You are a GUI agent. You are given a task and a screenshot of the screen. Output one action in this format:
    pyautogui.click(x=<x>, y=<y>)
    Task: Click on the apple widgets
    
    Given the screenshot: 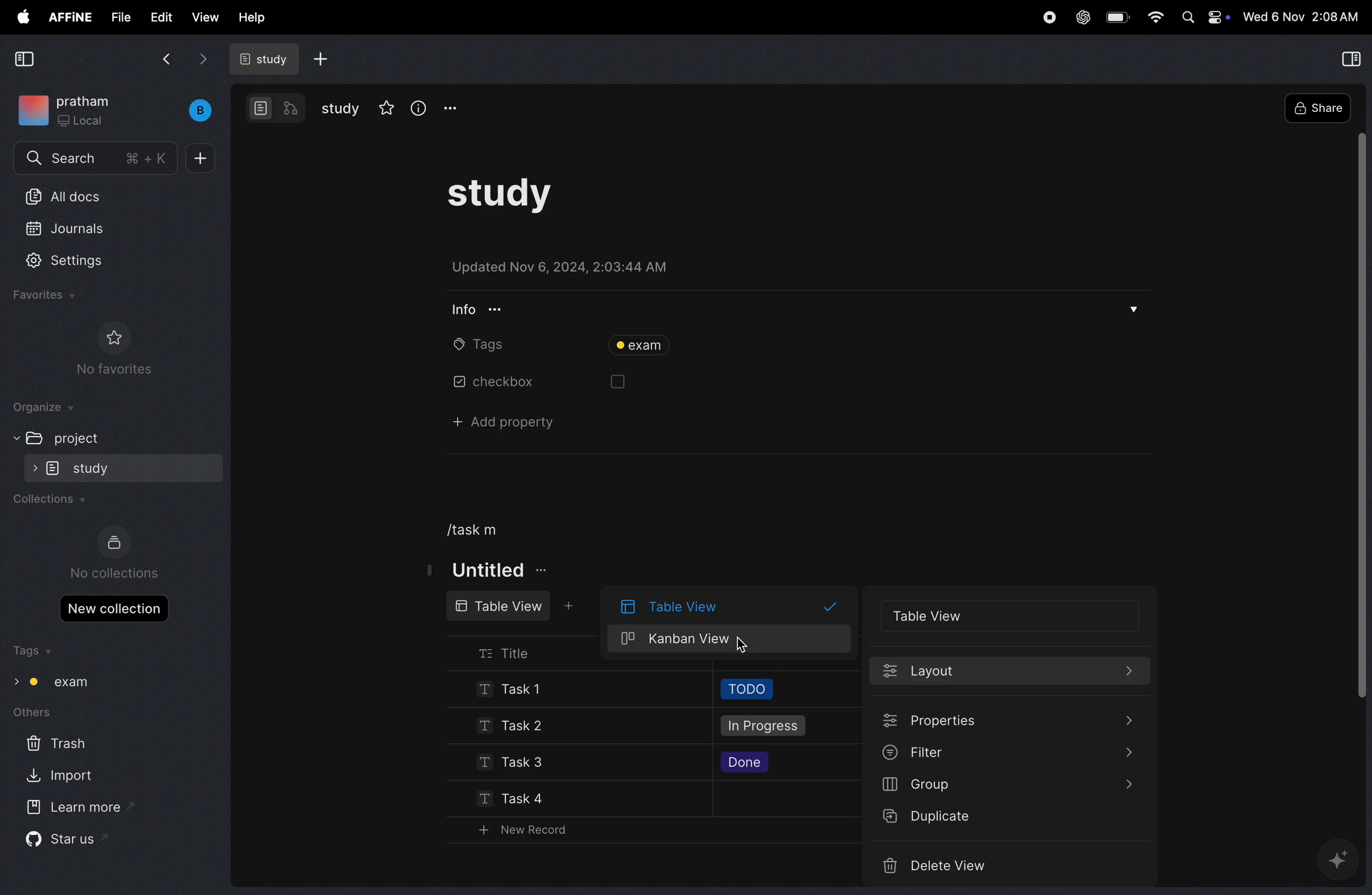 What is the action you would take?
    pyautogui.click(x=1203, y=17)
    